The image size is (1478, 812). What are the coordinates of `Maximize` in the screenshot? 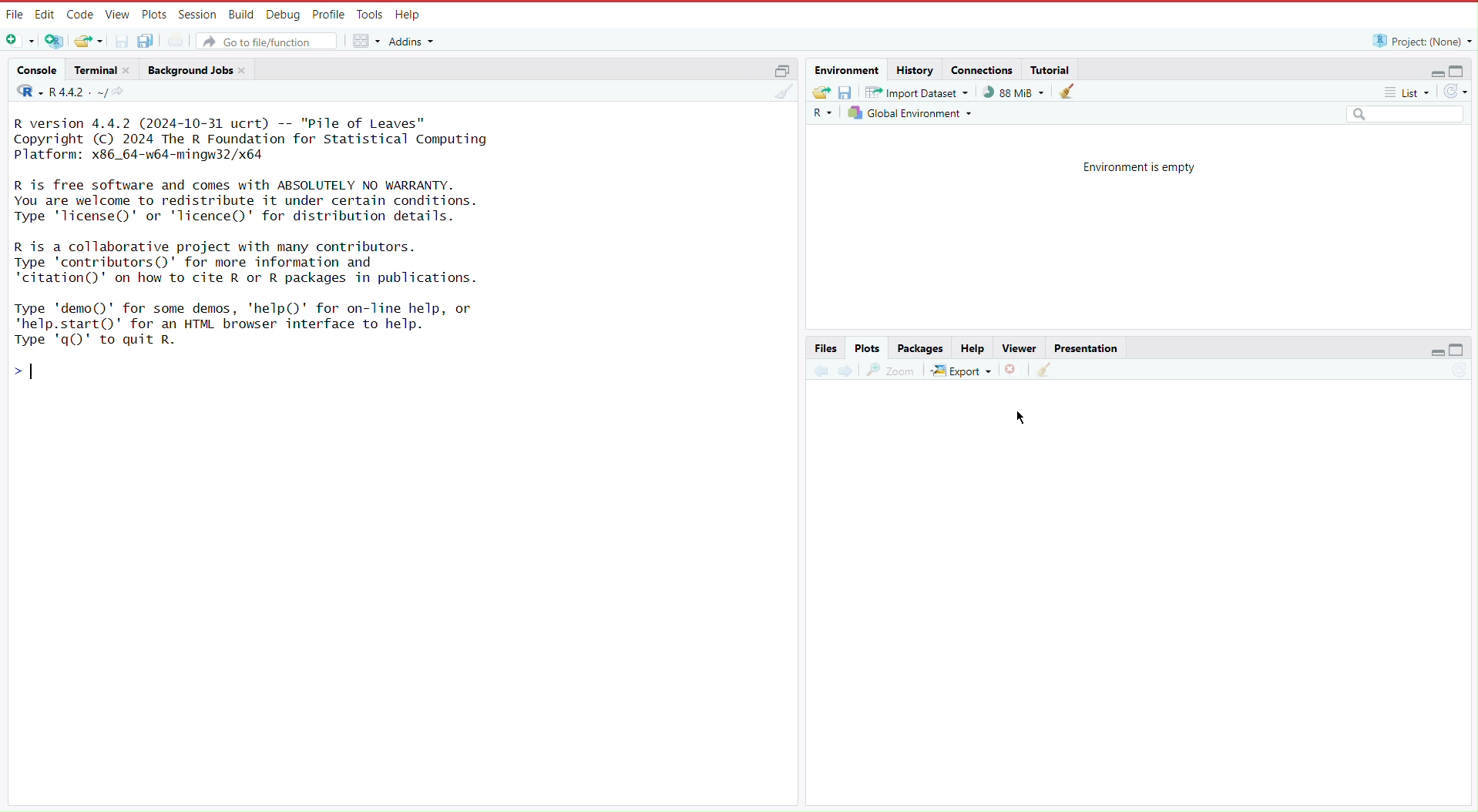 It's located at (1459, 351).